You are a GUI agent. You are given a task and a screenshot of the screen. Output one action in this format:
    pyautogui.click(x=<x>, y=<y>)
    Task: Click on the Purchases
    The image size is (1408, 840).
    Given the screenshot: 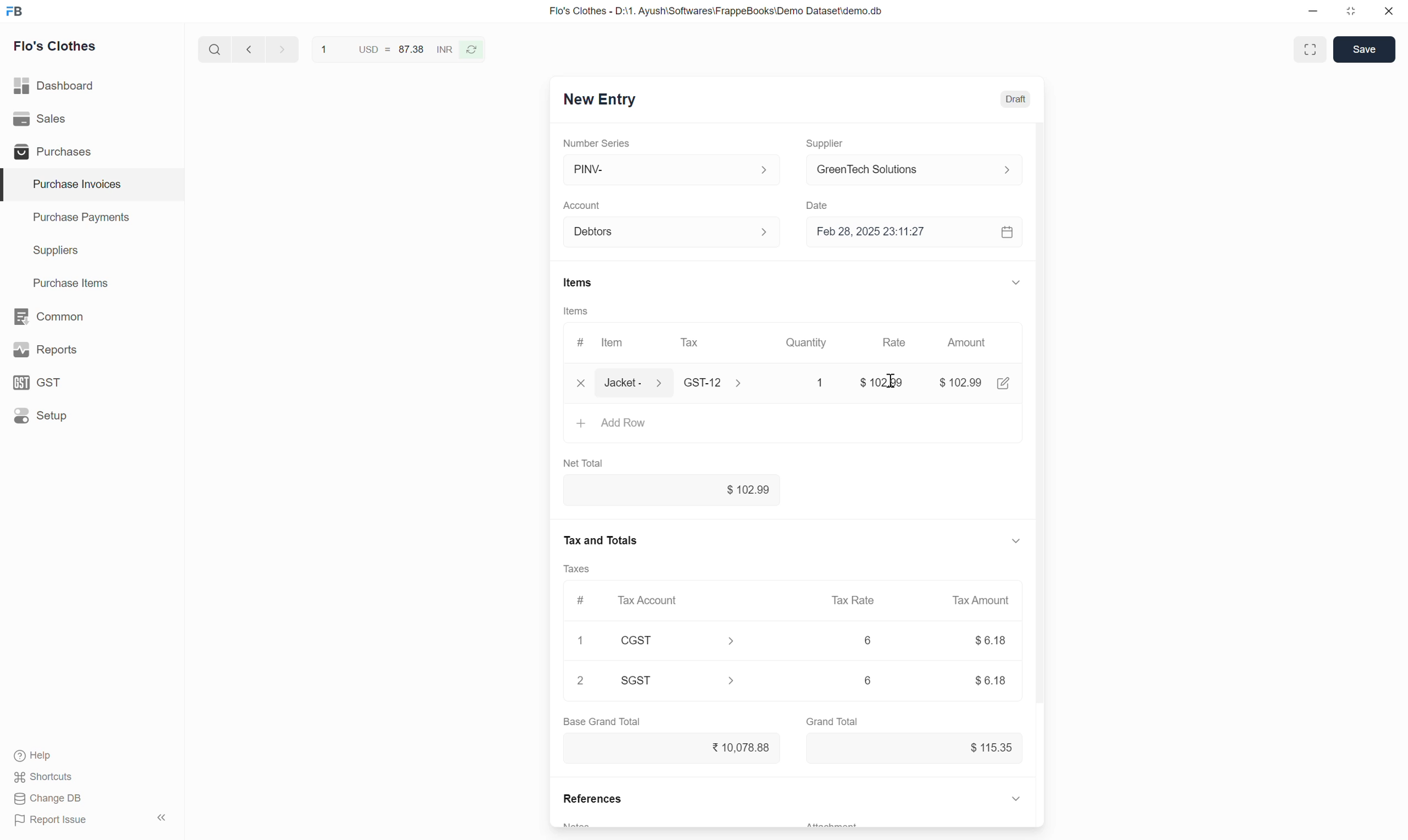 What is the action you would take?
    pyautogui.click(x=91, y=151)
    